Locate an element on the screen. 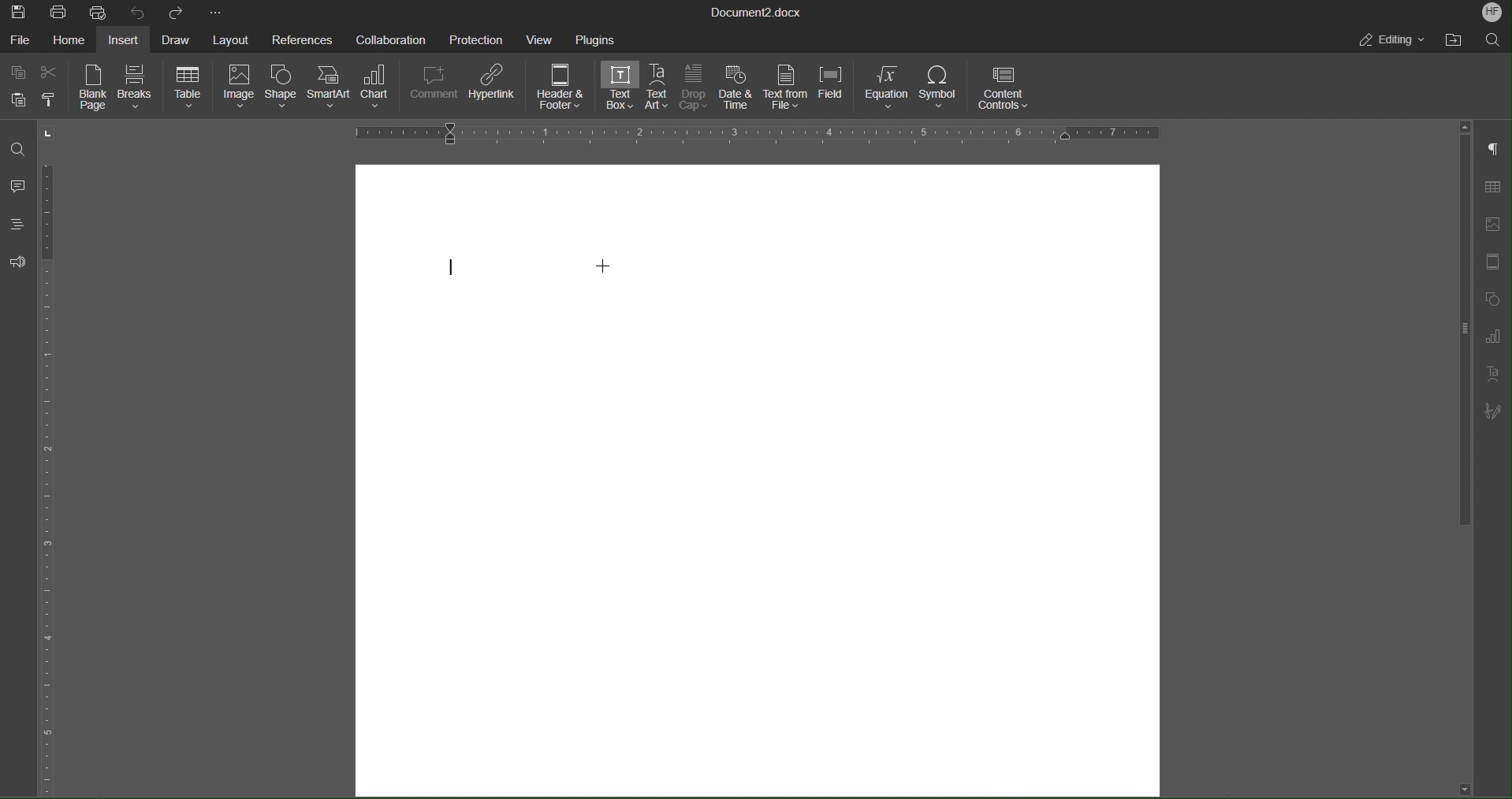 The height and width of the screenshot is (799, 1512). Insert is located at coordinates (125, 39).